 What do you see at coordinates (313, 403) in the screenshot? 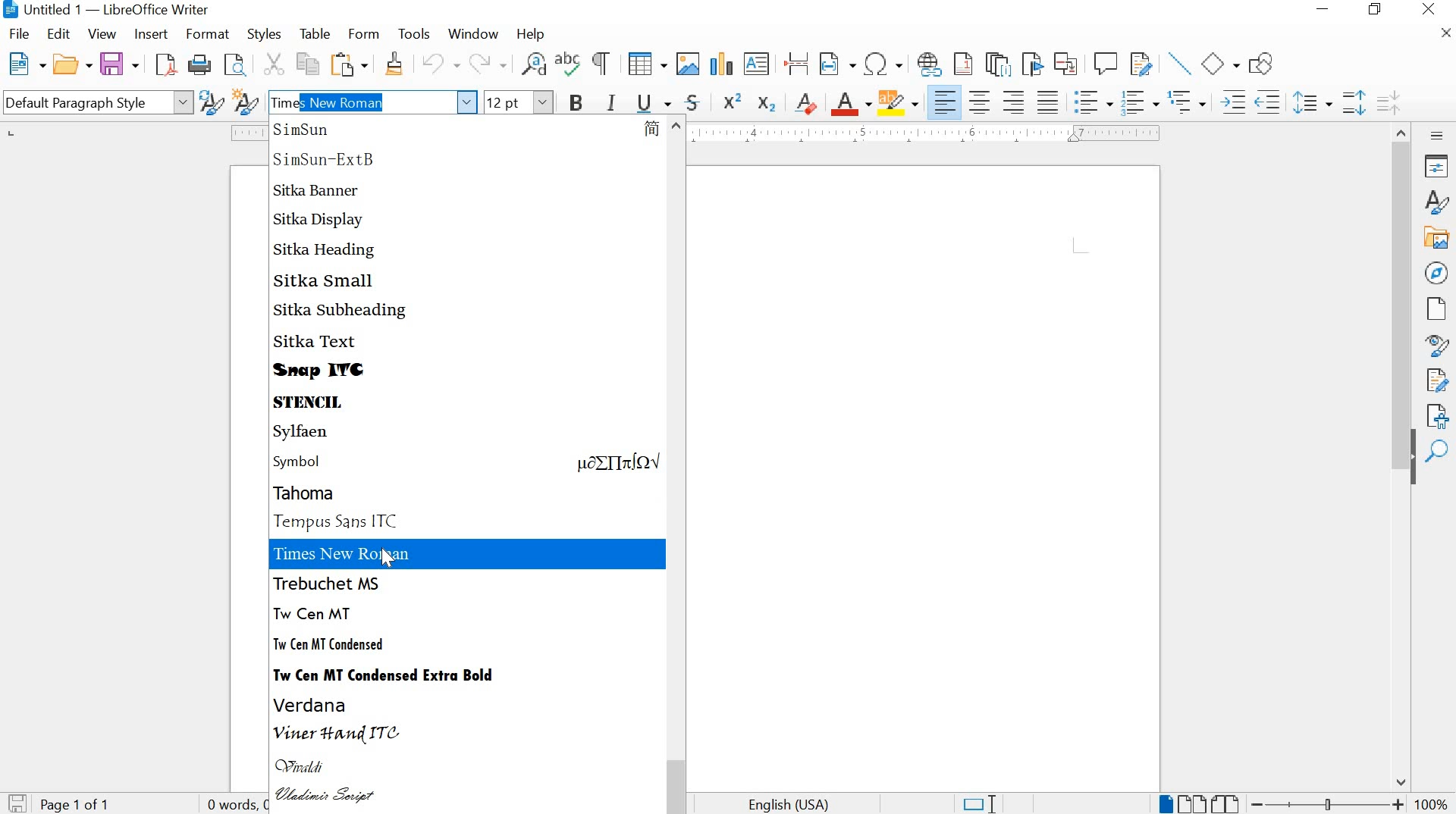
I see `STENCIL` at bounding box center [313, 403].